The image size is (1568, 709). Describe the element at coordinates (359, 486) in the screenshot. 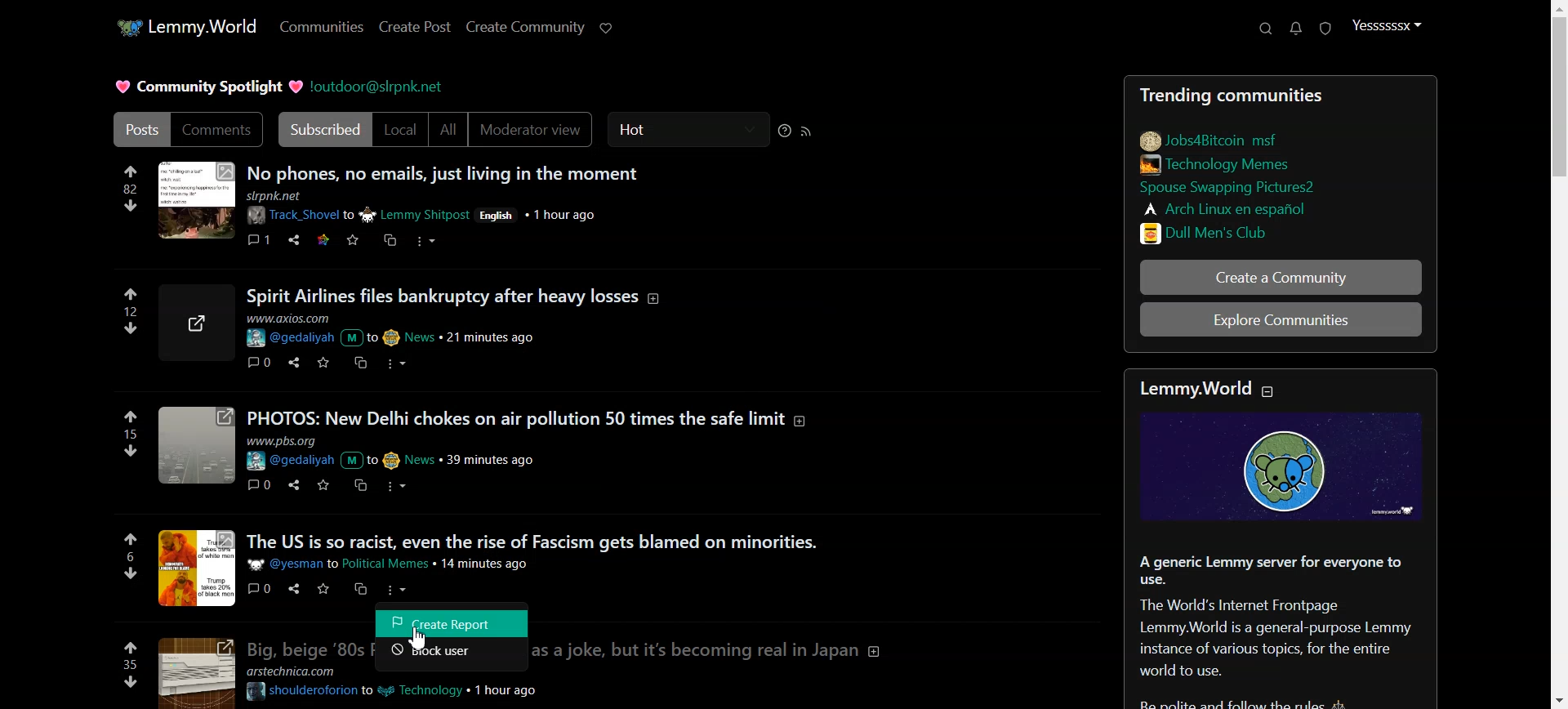

I see `cross post` at that location.